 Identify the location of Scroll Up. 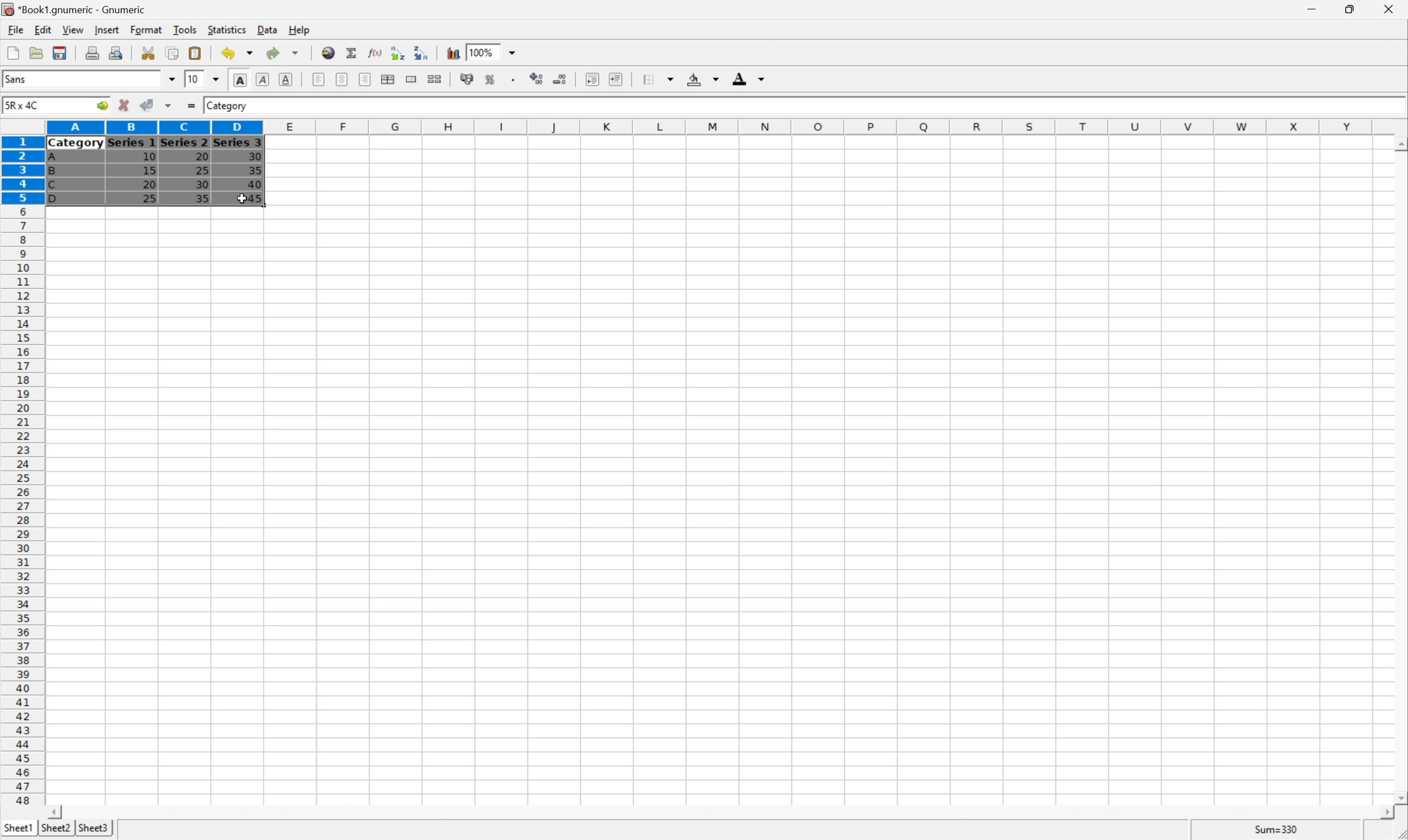
(1398, 143).